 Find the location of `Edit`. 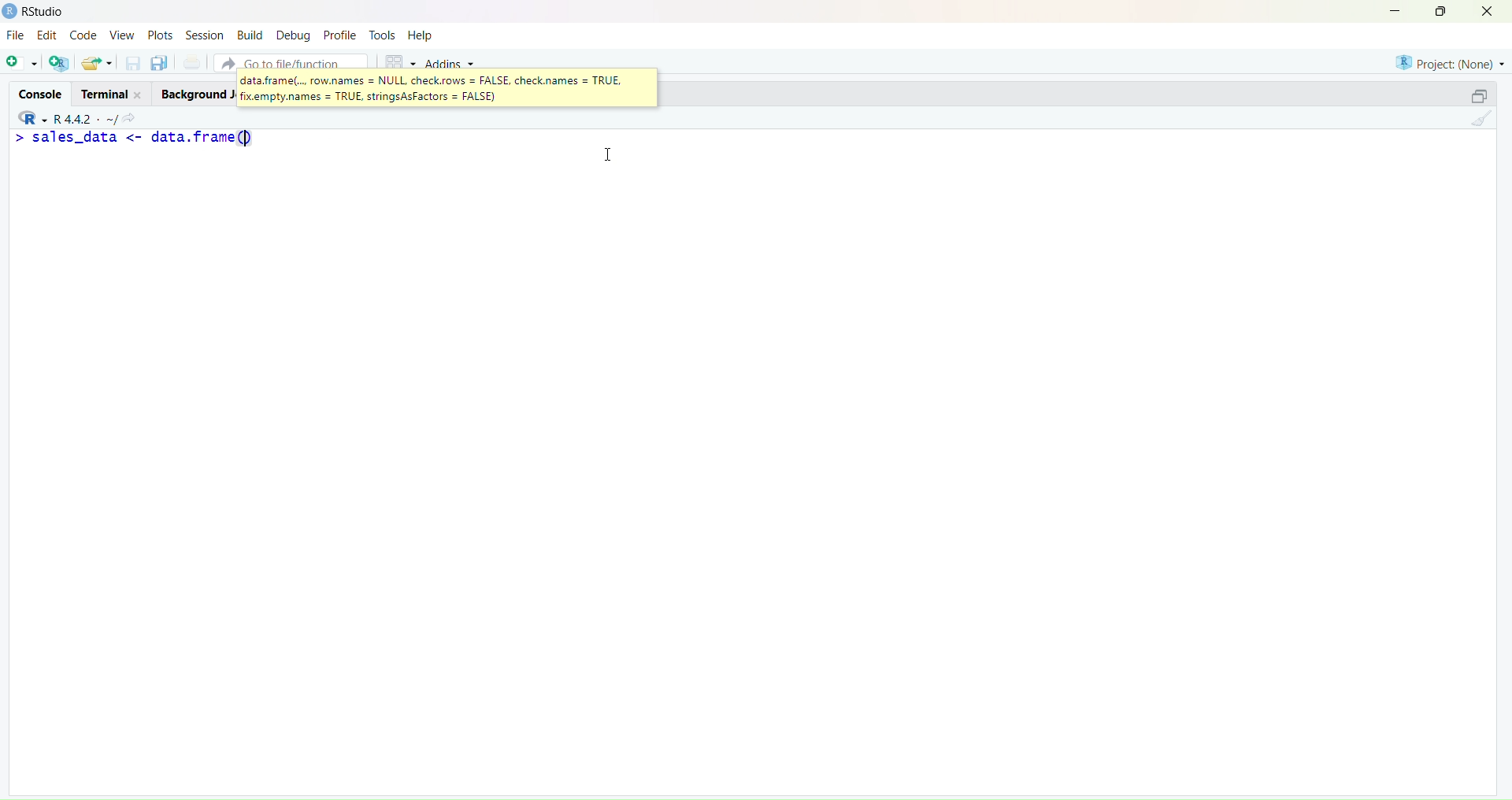

Edit is located at coordinates (46, 37).